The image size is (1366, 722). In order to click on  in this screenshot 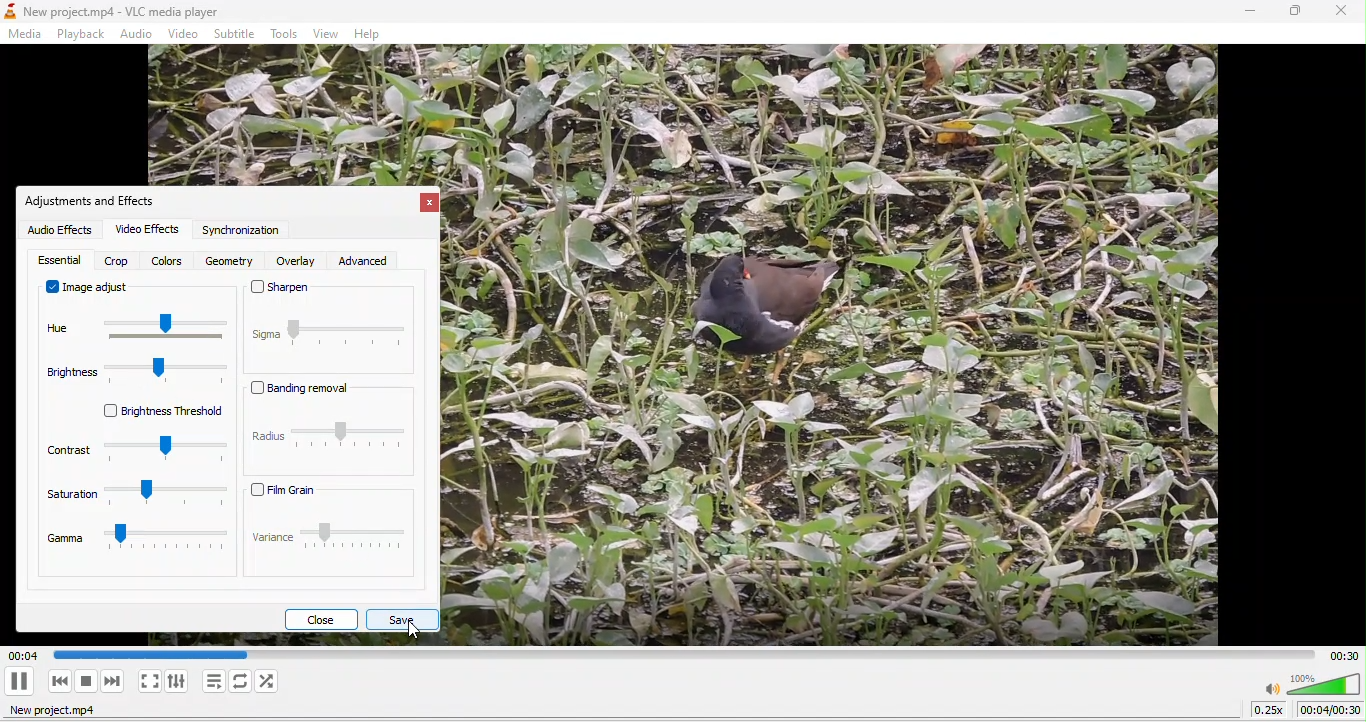, I will do `click(22, 682)`.